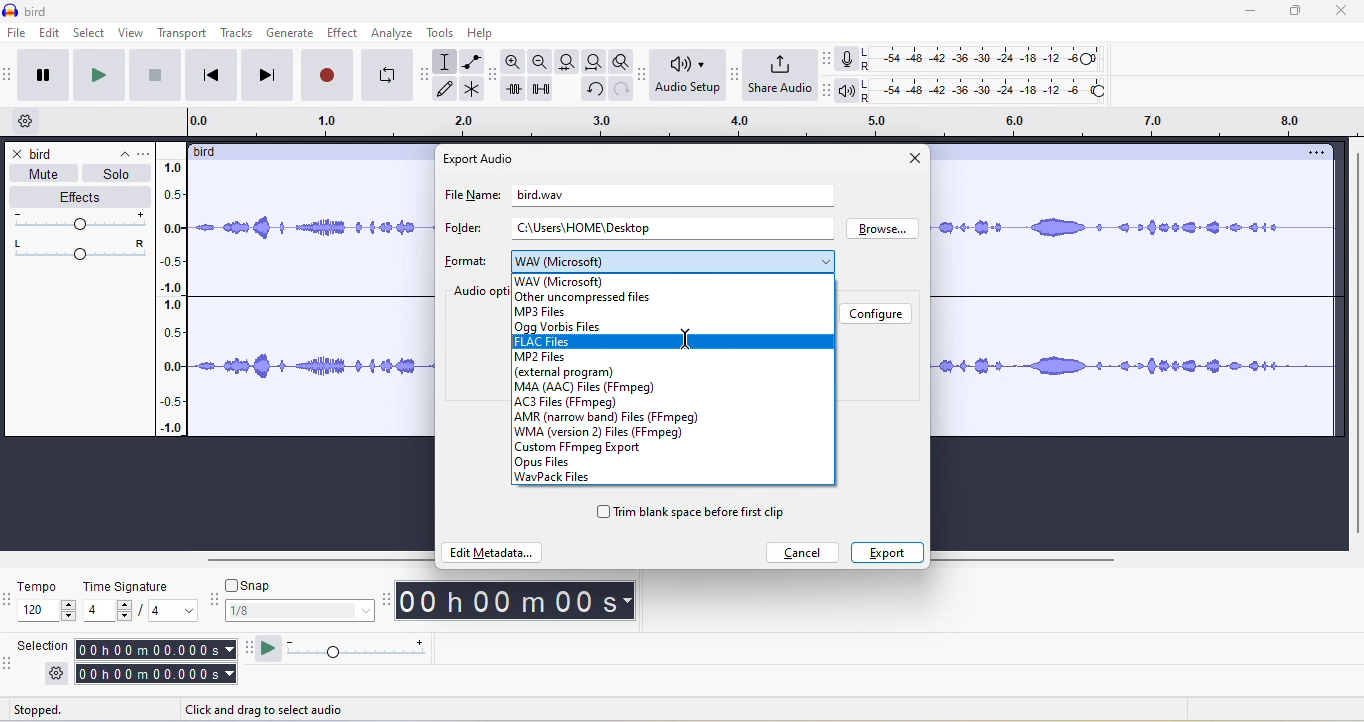 This screenshot has height=722, width=1364. Describe the element at coordinates (39, 174) in the screenshot. I see `mute` at that location.